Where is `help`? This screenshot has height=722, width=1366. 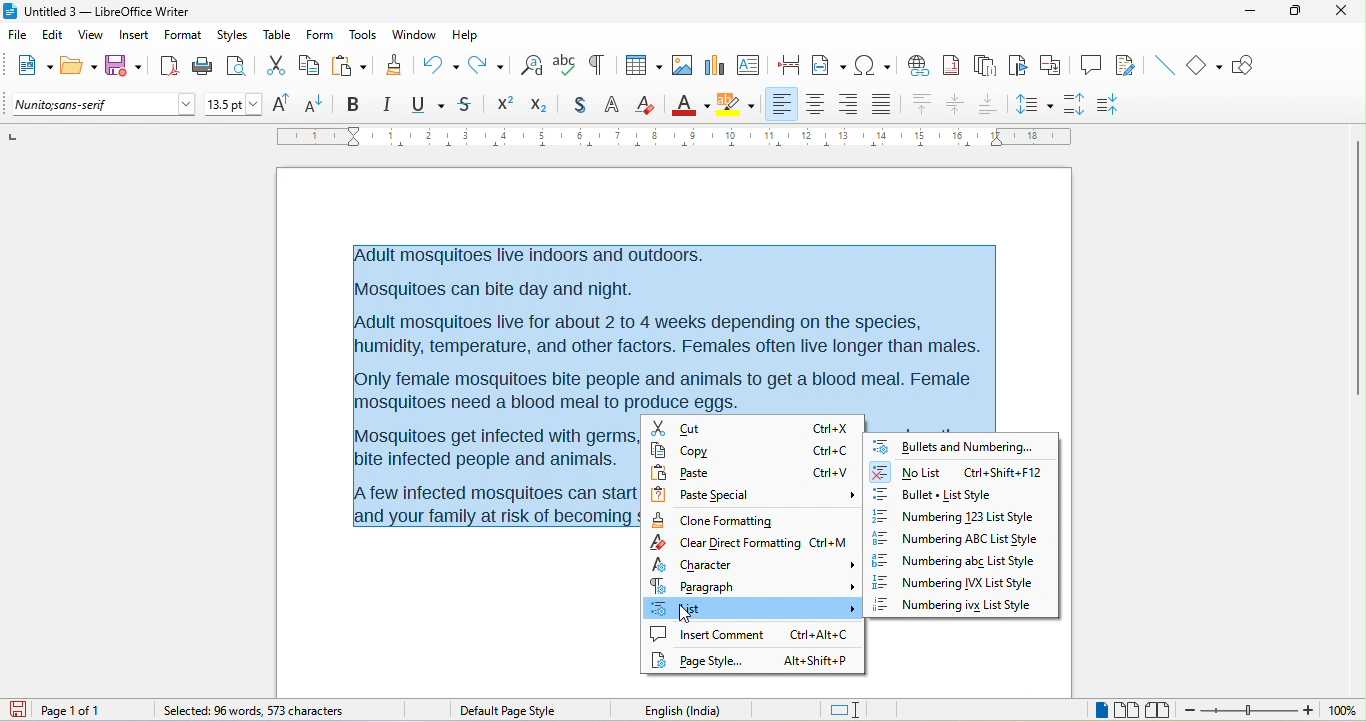 help is located at coordinates (468, 33).